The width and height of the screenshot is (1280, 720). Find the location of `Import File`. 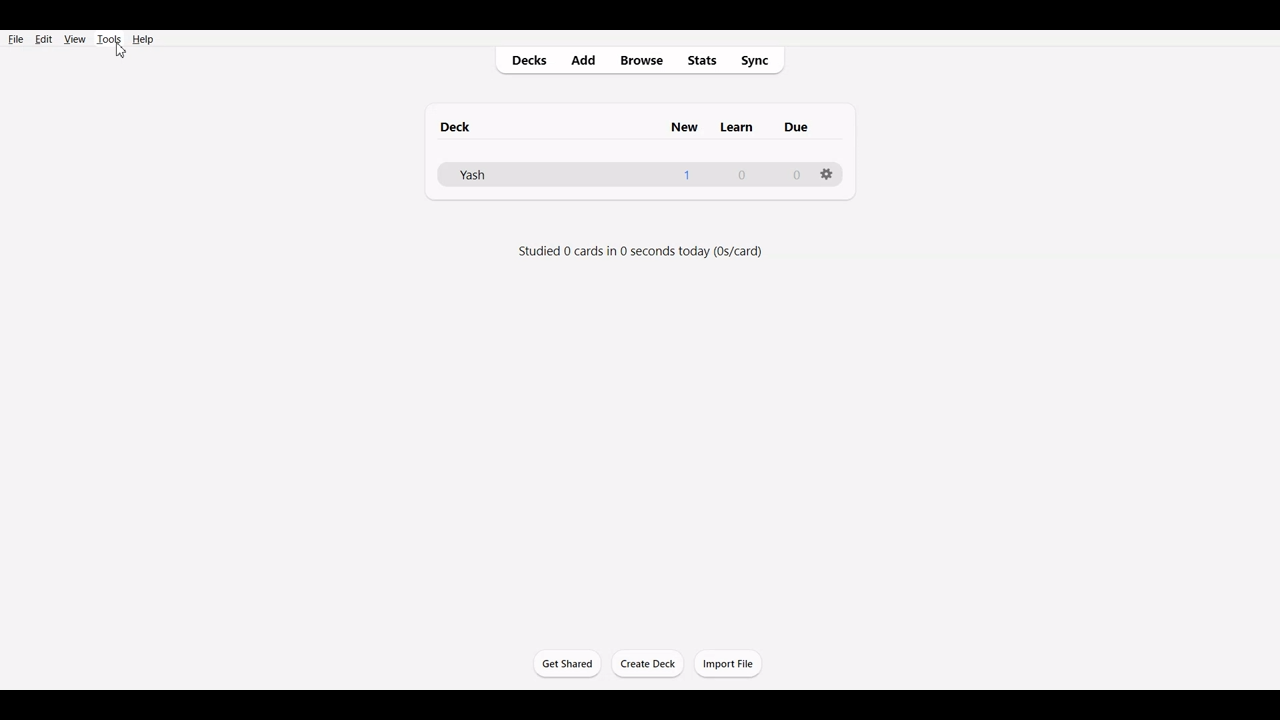

Import File is located at coordinates (729, 663).